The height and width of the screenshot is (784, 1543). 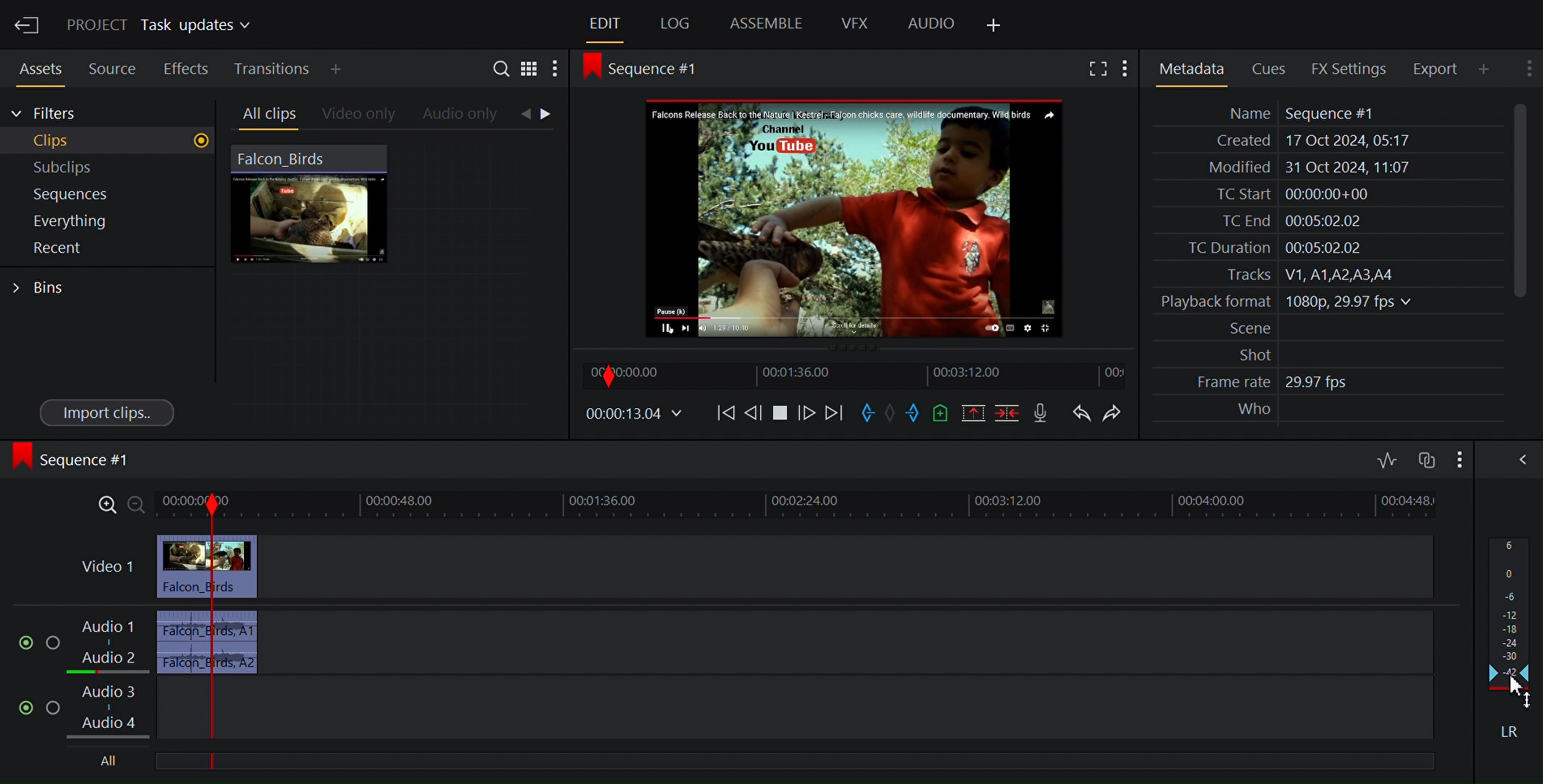 I want to click on Zoom out, so click(x=138, y=505).